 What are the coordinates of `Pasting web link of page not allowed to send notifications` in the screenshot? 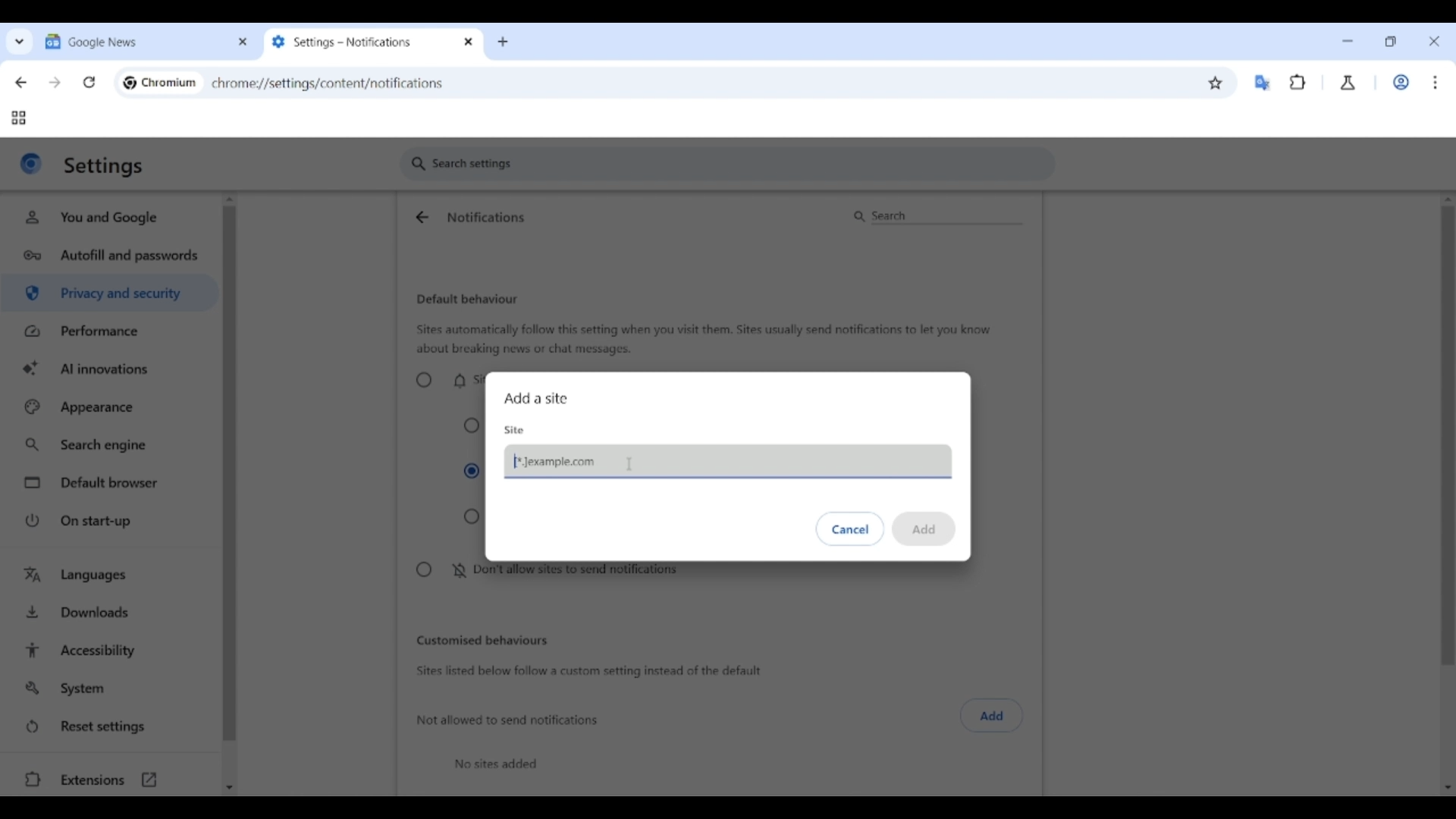 It's located at (728, 462).